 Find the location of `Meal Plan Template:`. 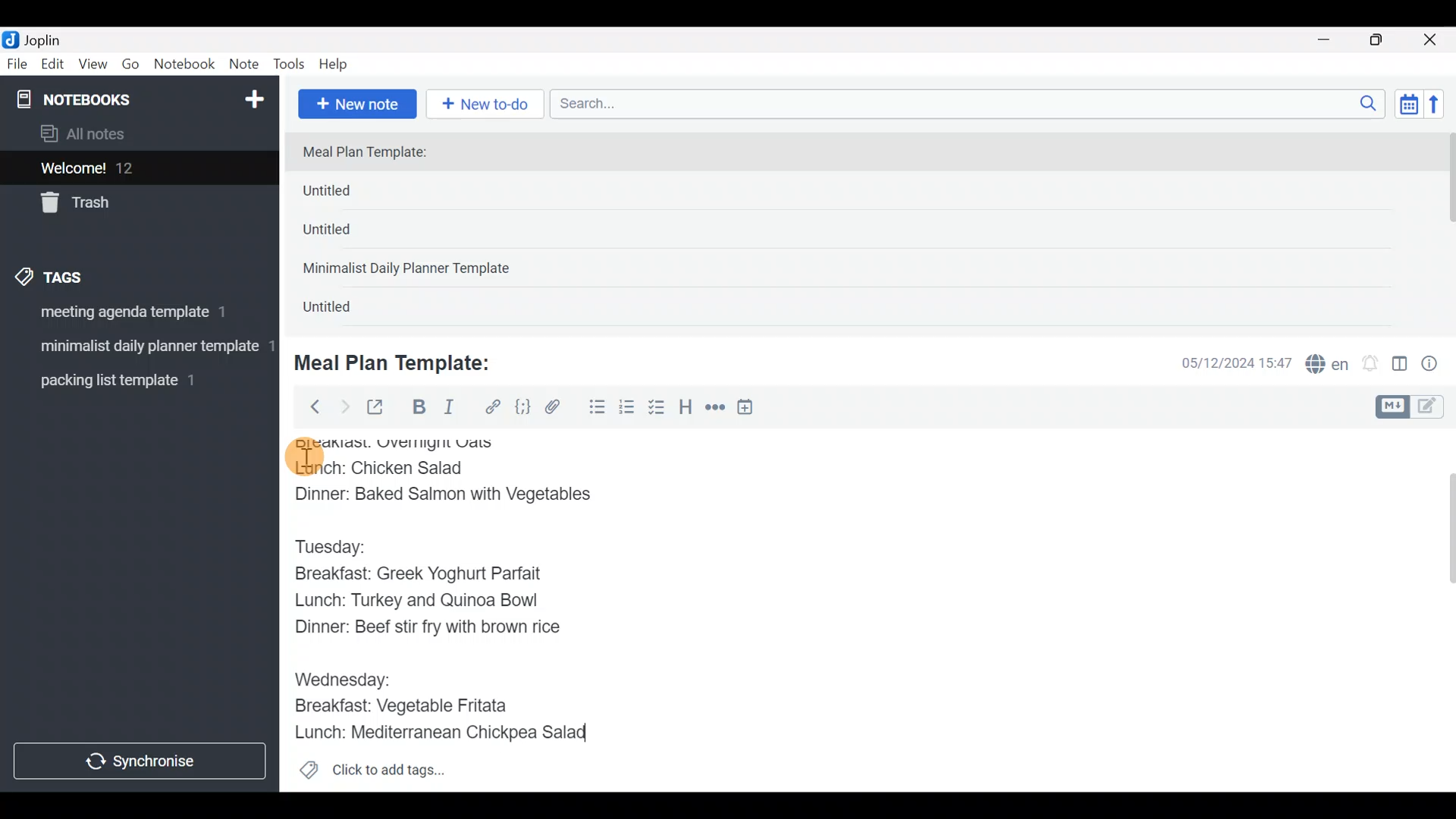

Meal Plan Template: is located at coordinates (374, 153).